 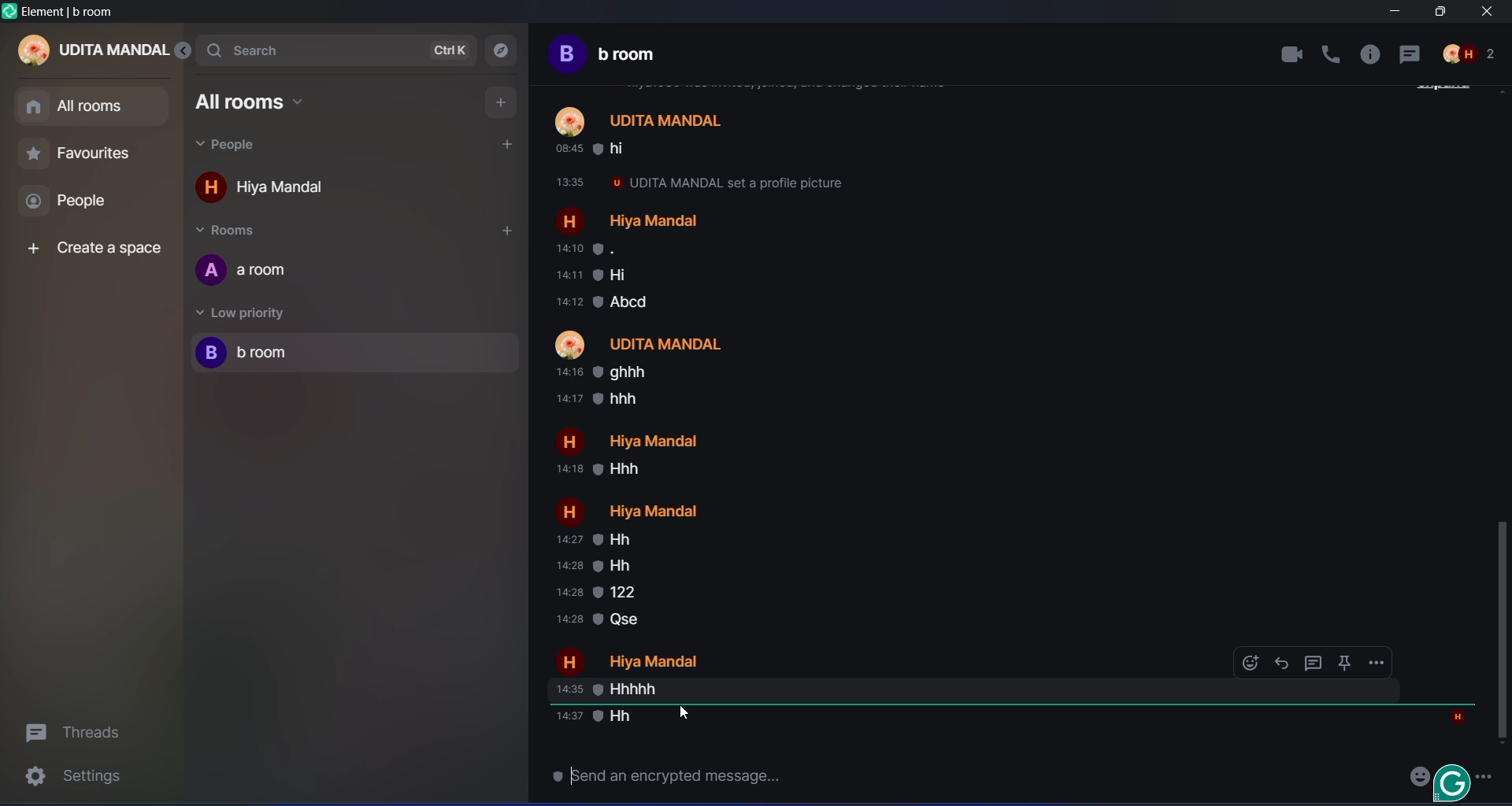 I want to click on Profile , so click(x=1471, y=57).